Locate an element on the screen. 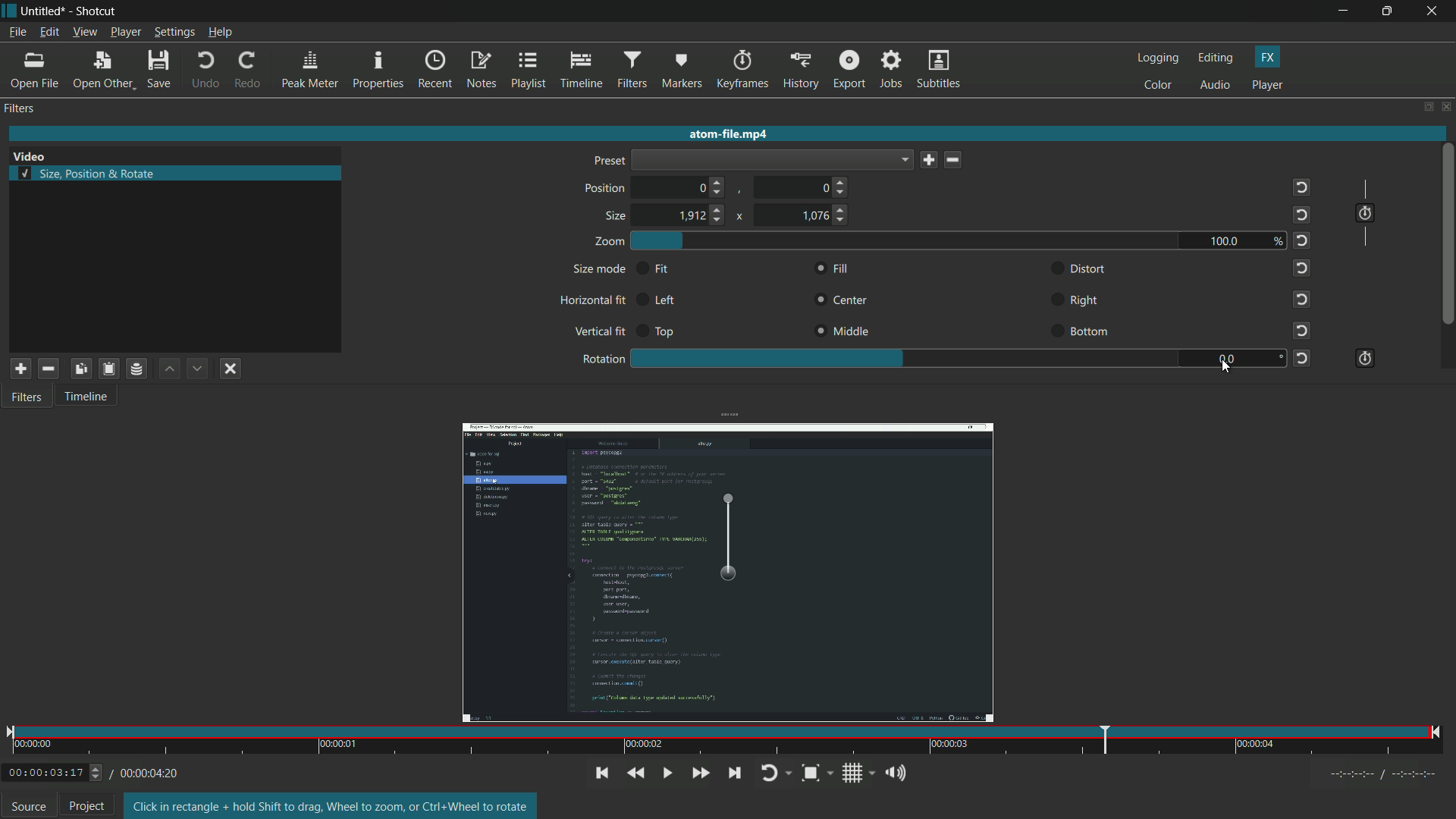 The height and width of the screenshot is (819, 1456). keyframes is located at coordinates (741, 71).